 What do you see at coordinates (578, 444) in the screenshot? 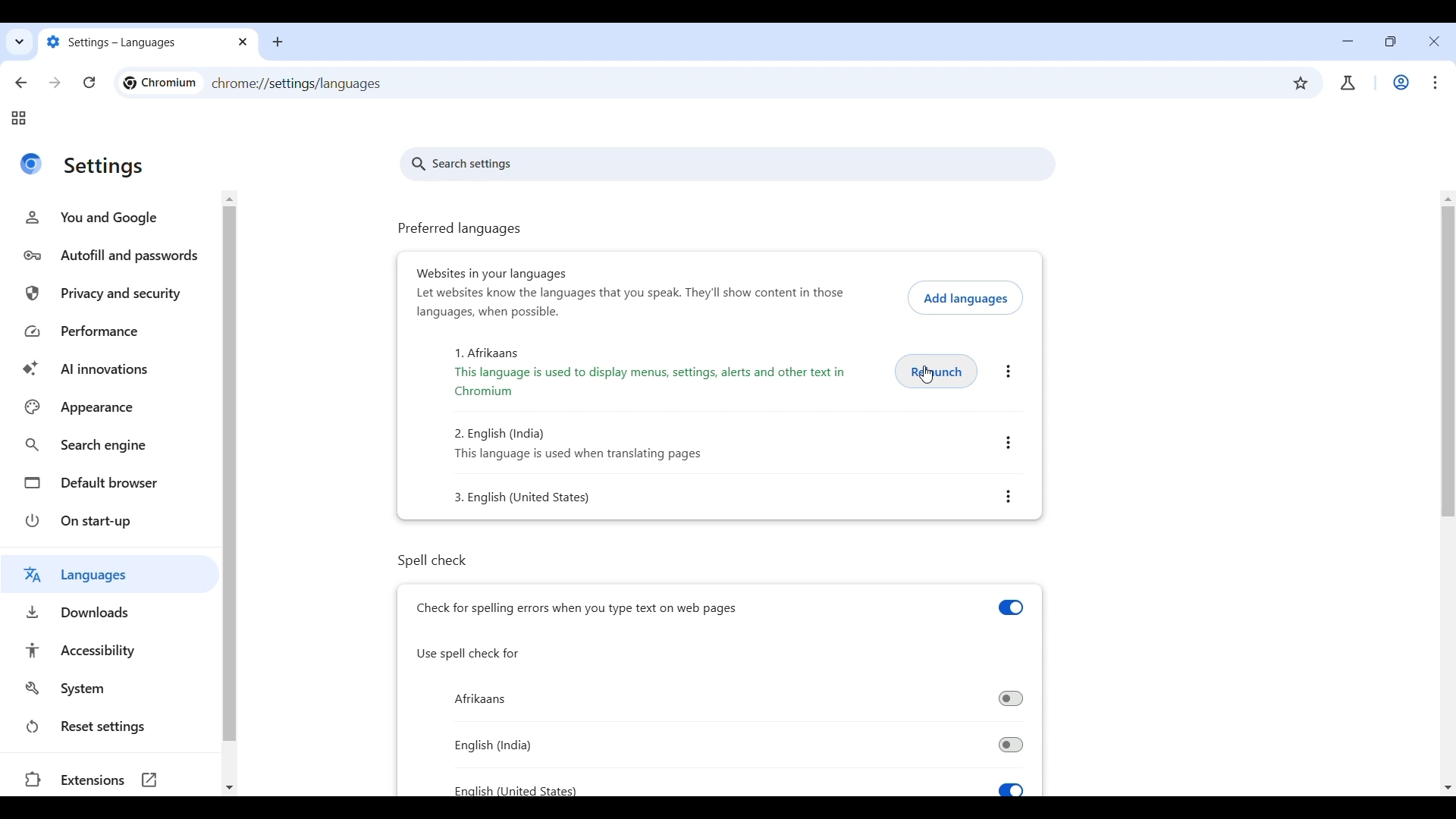
I see `numbered list: text` at bounding box center [578, 444].